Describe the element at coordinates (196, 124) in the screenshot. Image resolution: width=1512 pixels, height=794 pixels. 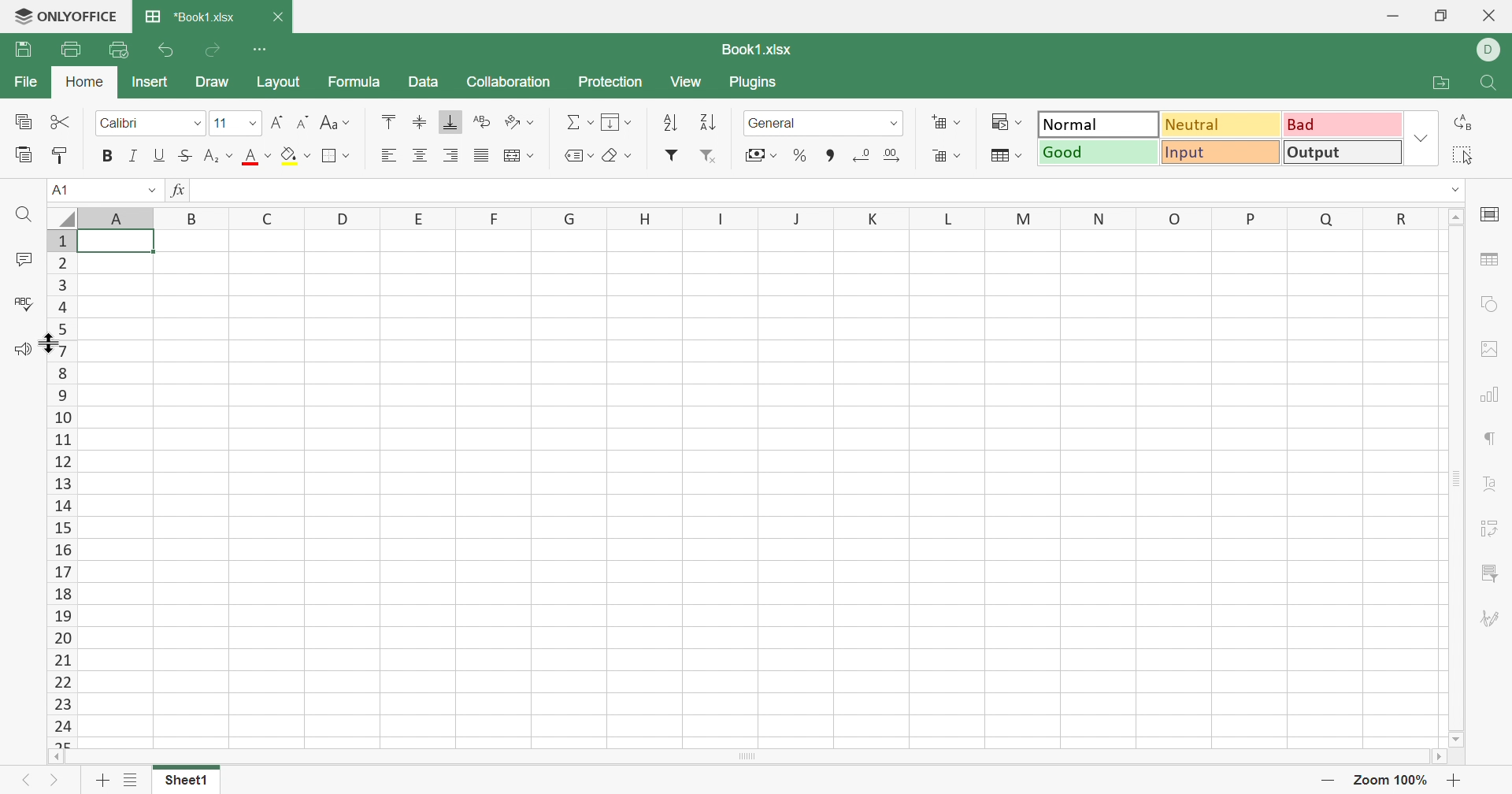
I see `Drop Down` at that location.